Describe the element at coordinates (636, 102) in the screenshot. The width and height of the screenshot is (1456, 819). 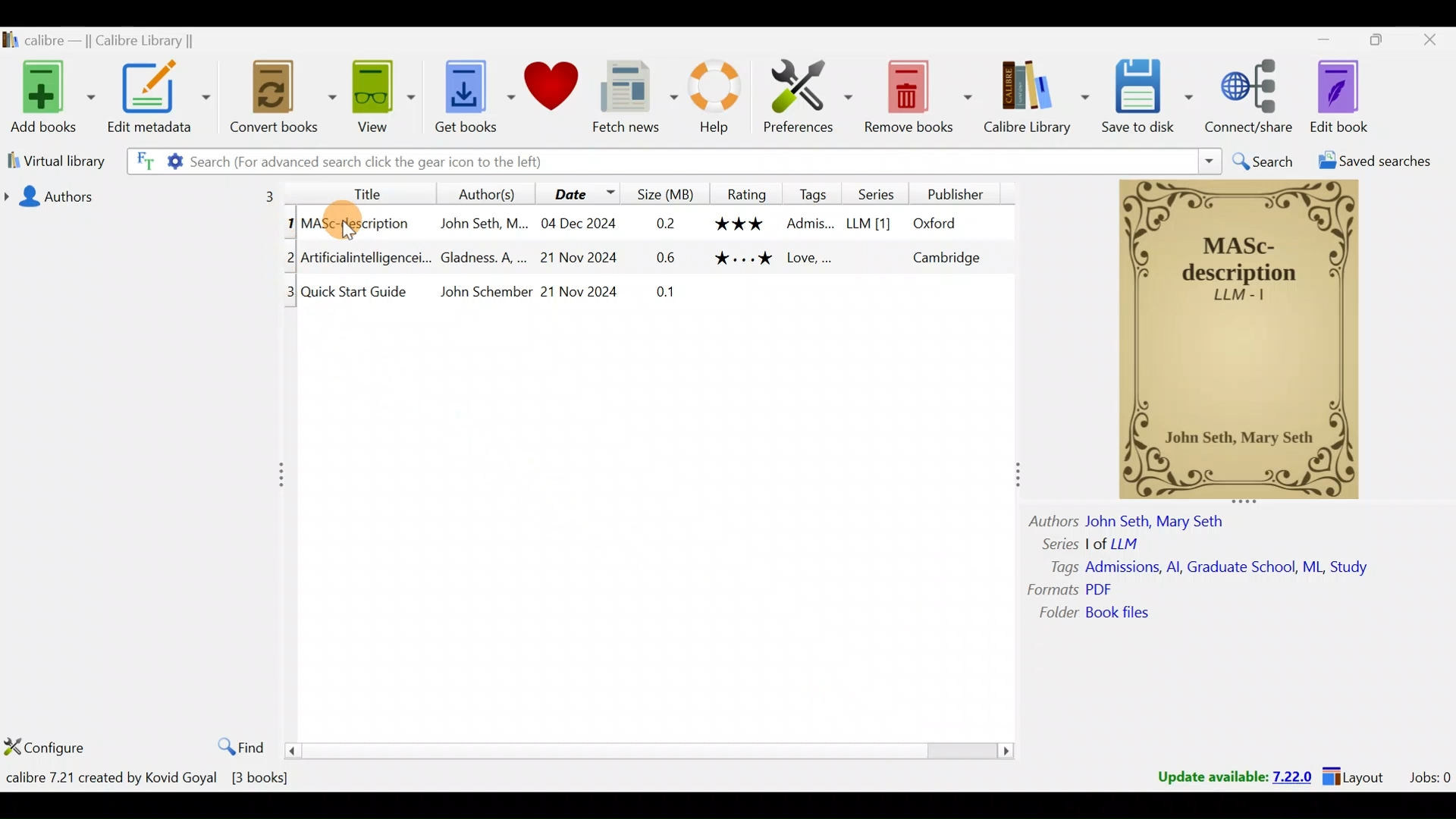
I see `Fetch news` at that location.